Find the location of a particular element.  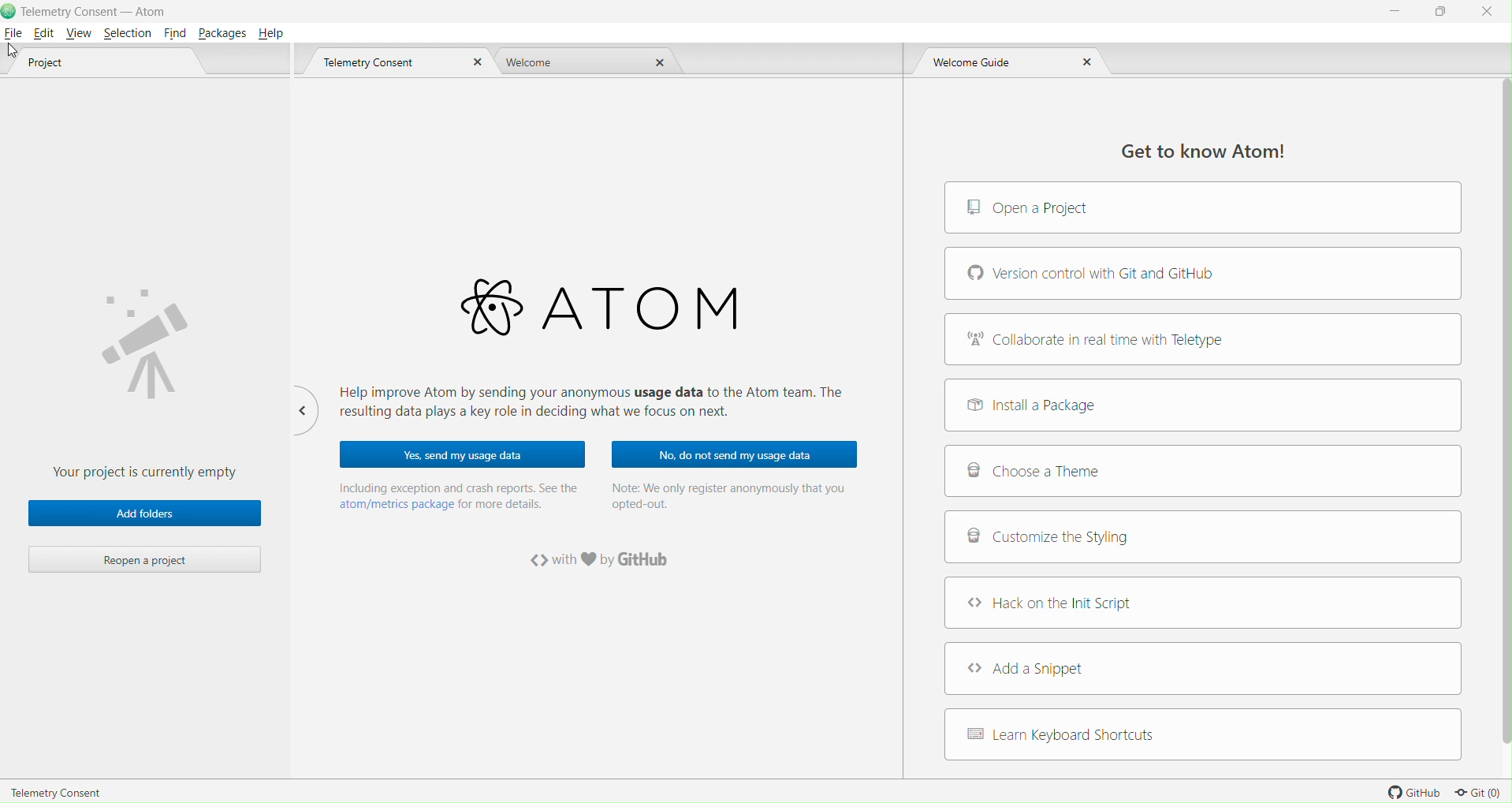

Yes, send my usage data is located at coordinates (464, 454).